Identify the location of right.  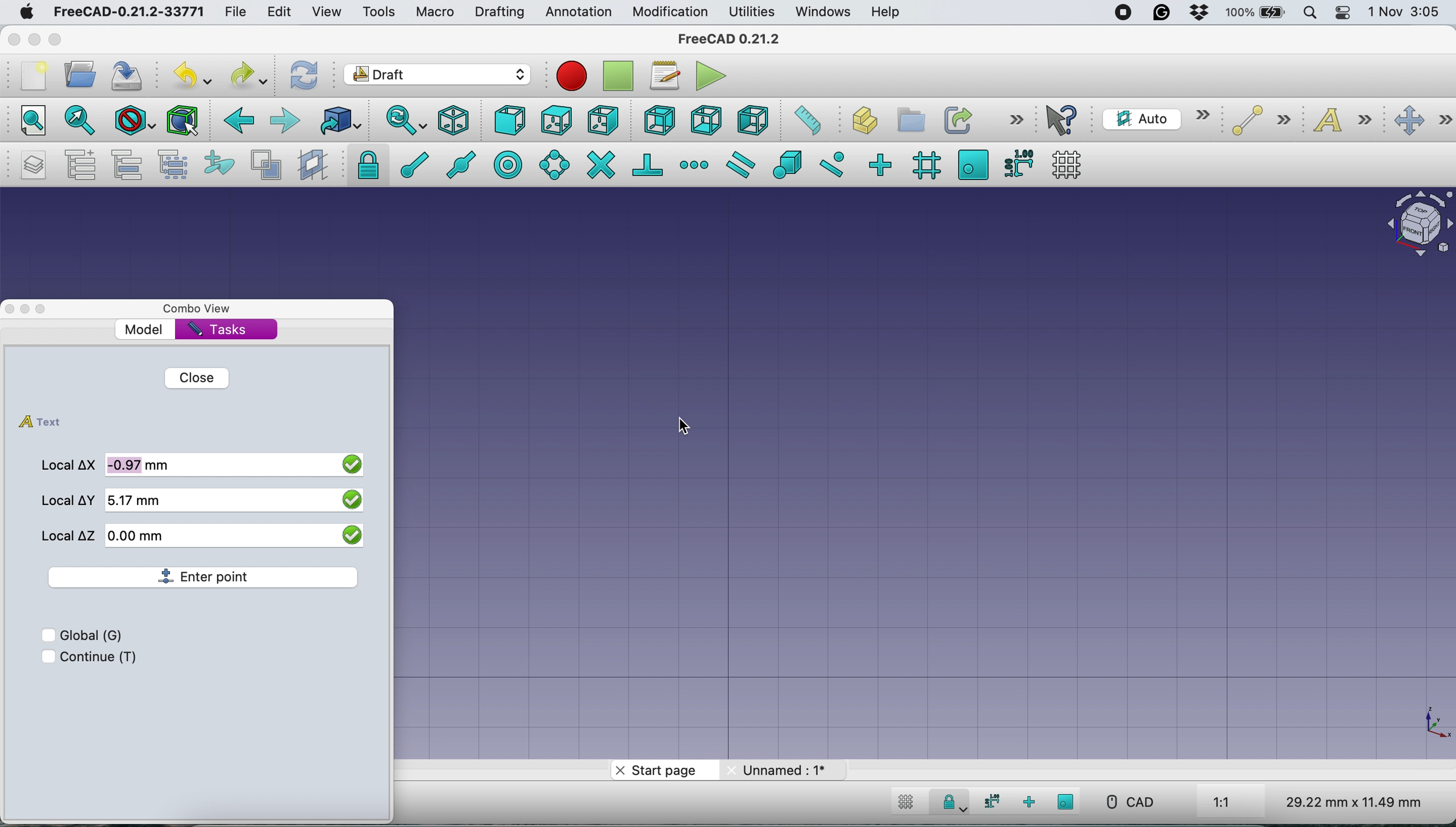
(602, 120).